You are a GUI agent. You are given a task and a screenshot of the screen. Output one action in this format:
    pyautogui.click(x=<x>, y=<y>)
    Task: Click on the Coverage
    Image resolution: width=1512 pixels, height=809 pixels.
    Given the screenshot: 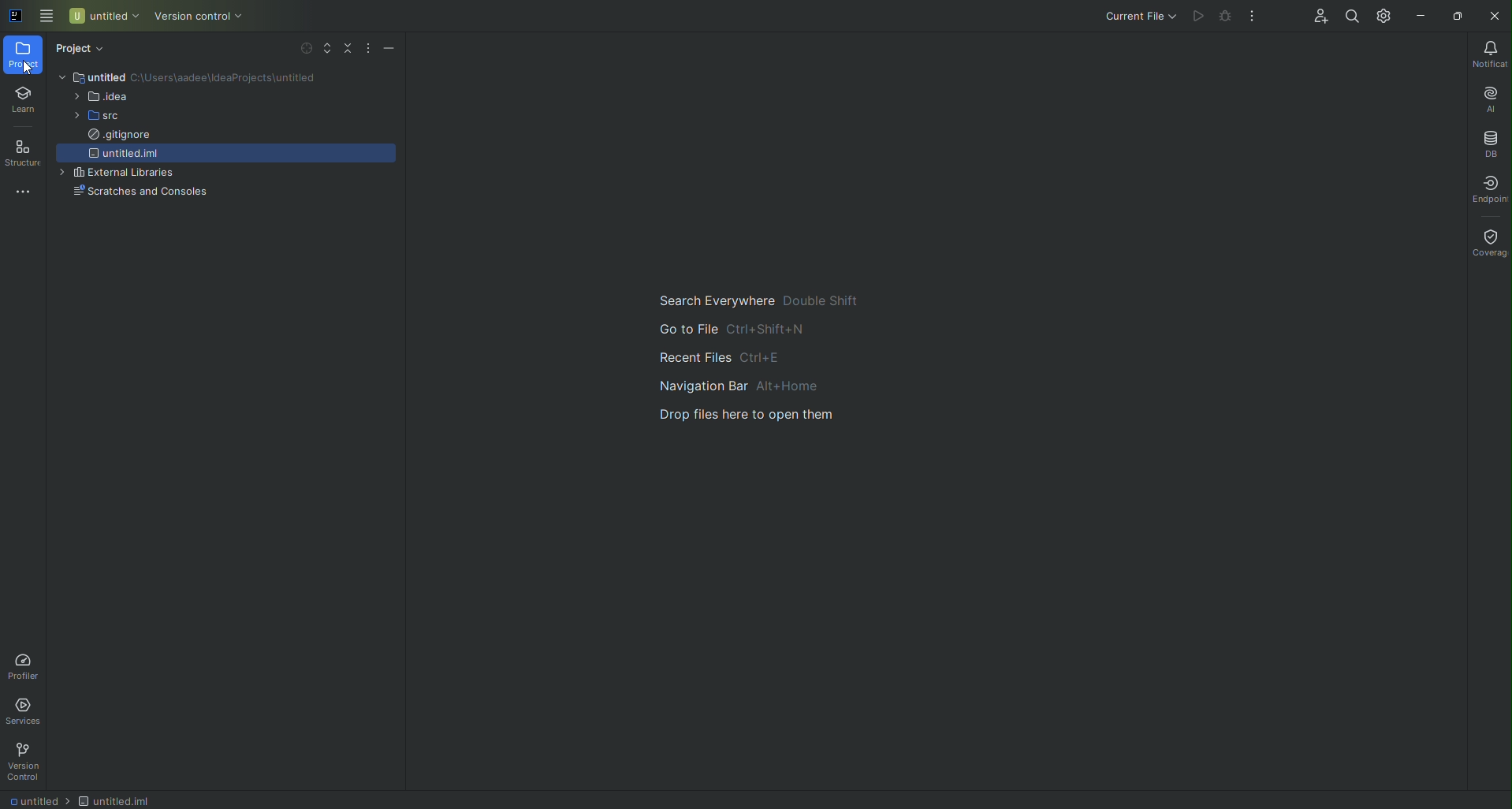 What is the action you would take?
    pyautogui.click(x=1488, y=237)
    